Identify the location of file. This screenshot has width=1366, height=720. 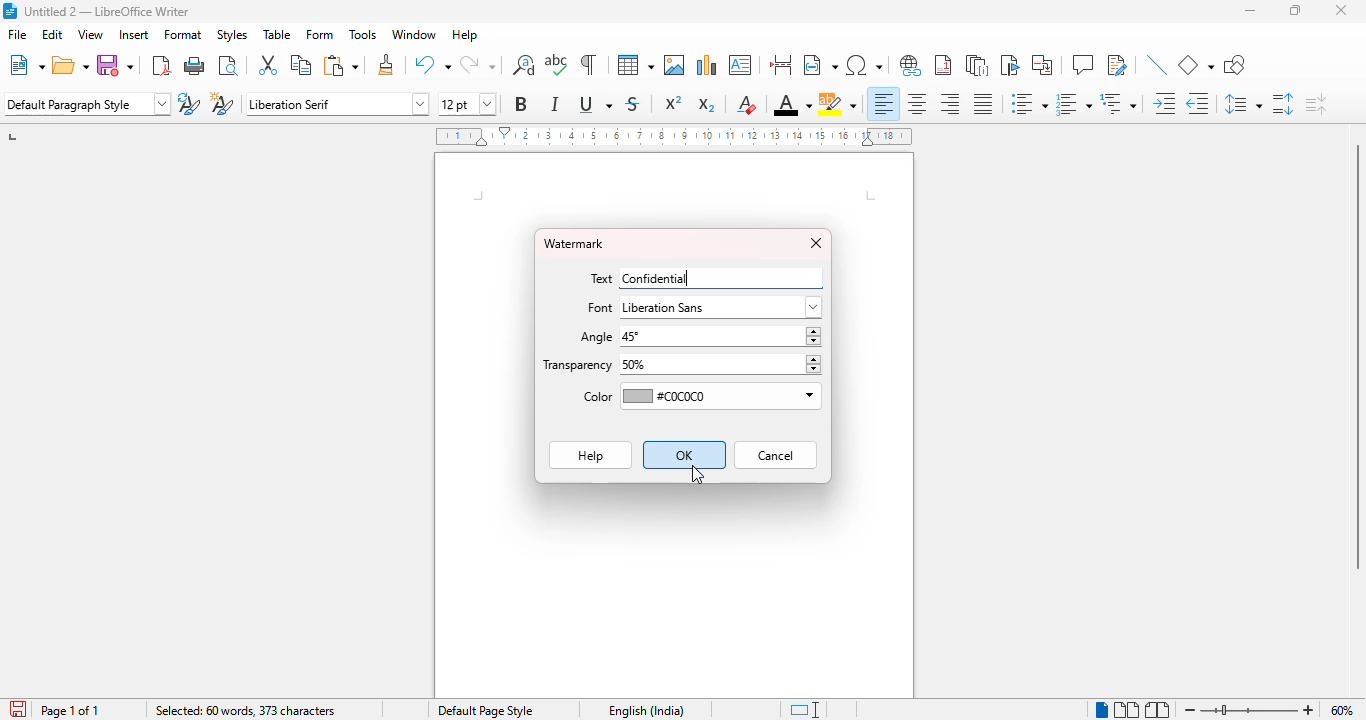
(19, 34).